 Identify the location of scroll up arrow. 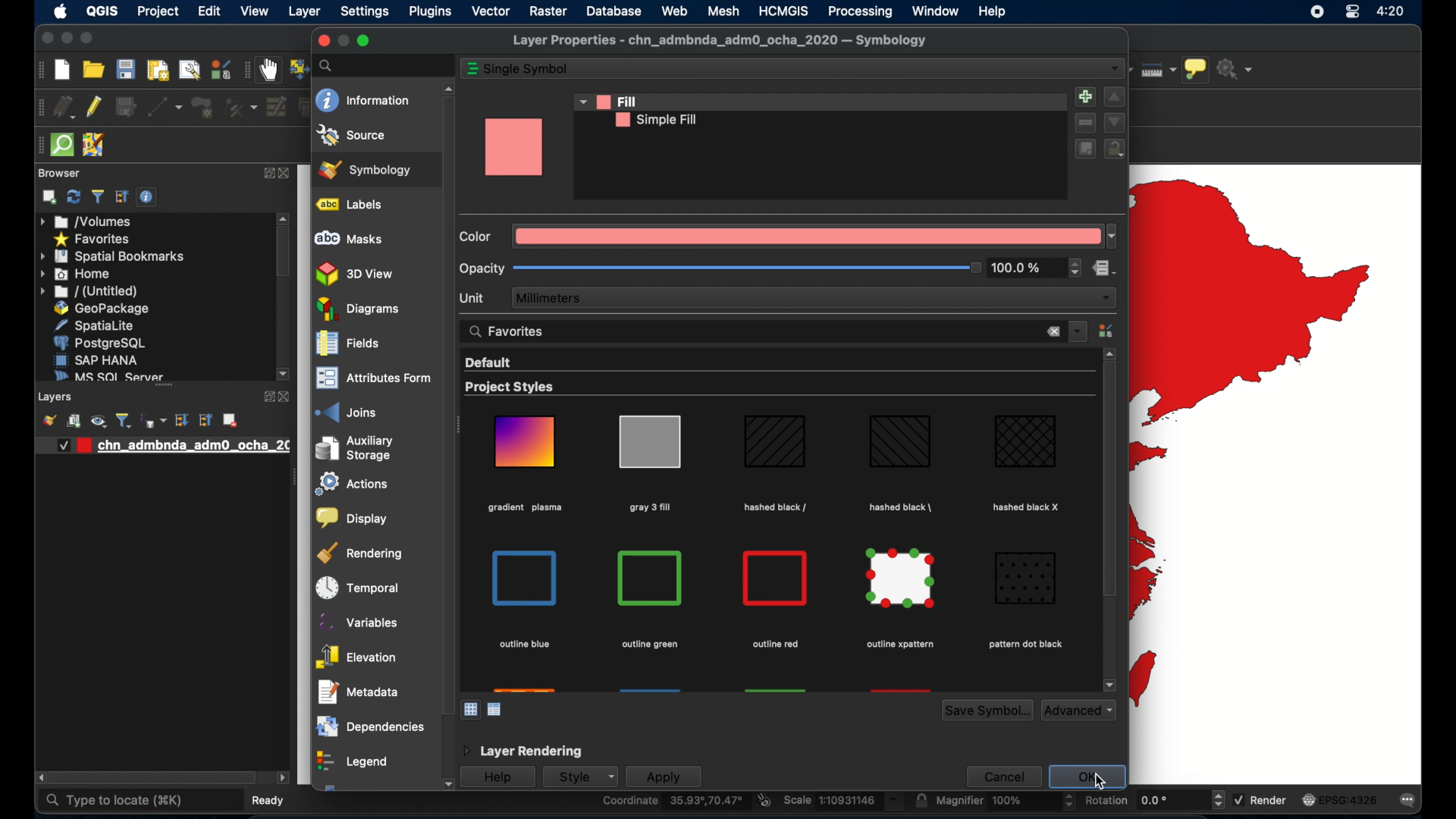
(446, 86).